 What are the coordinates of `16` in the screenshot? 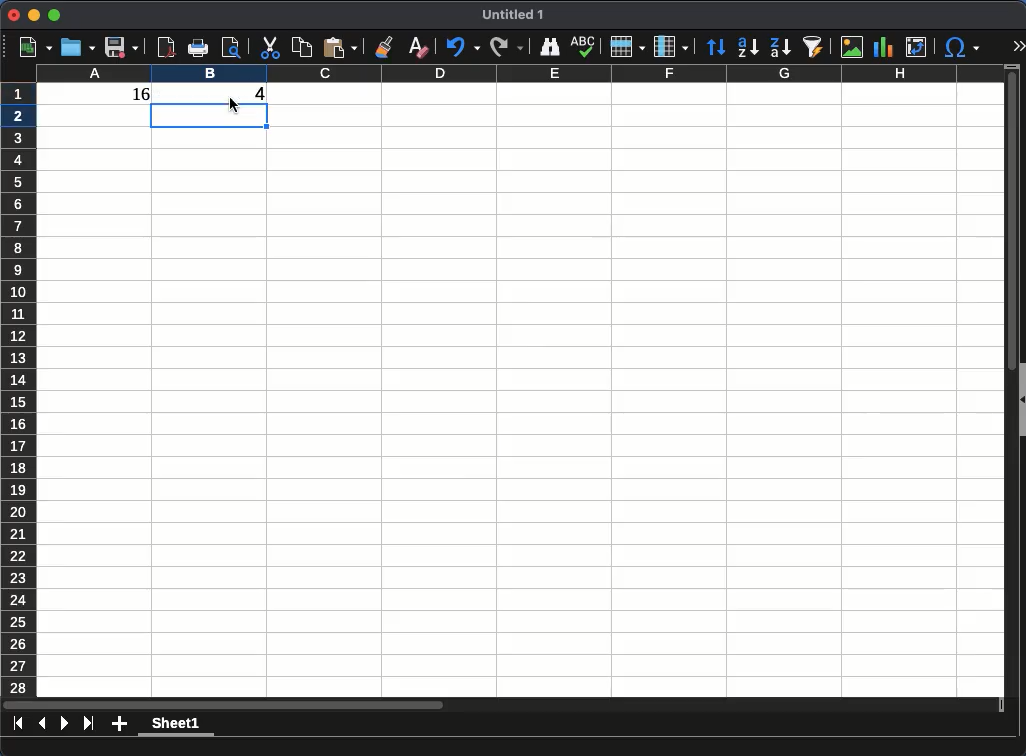 It's located at (133, 97).